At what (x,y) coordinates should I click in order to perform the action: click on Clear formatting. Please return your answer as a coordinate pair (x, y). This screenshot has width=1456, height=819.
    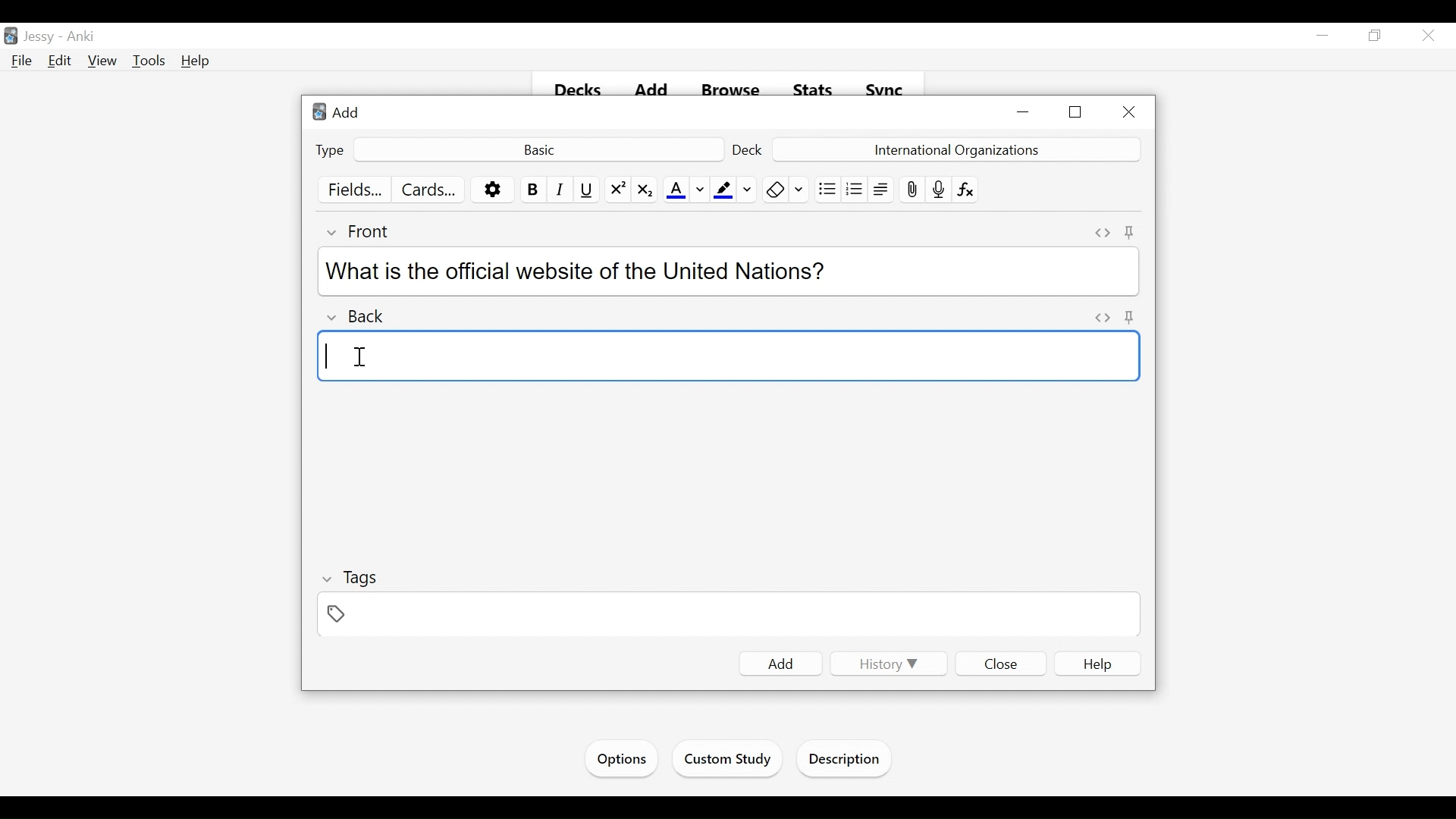
    Looking at the image, I should click on (773, 189).